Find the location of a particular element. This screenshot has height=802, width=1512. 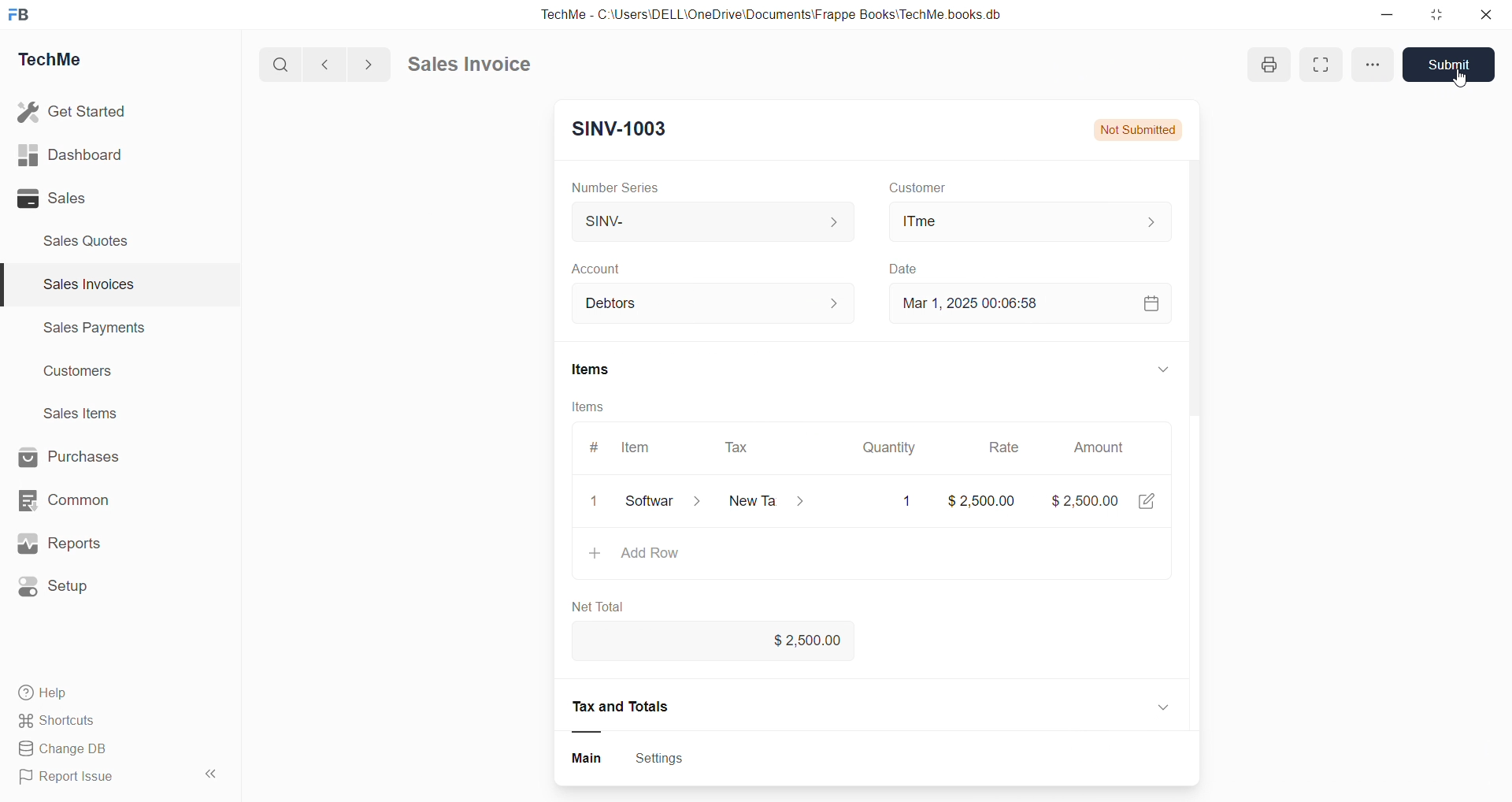

Amount is located at coordinates (1114, 449).